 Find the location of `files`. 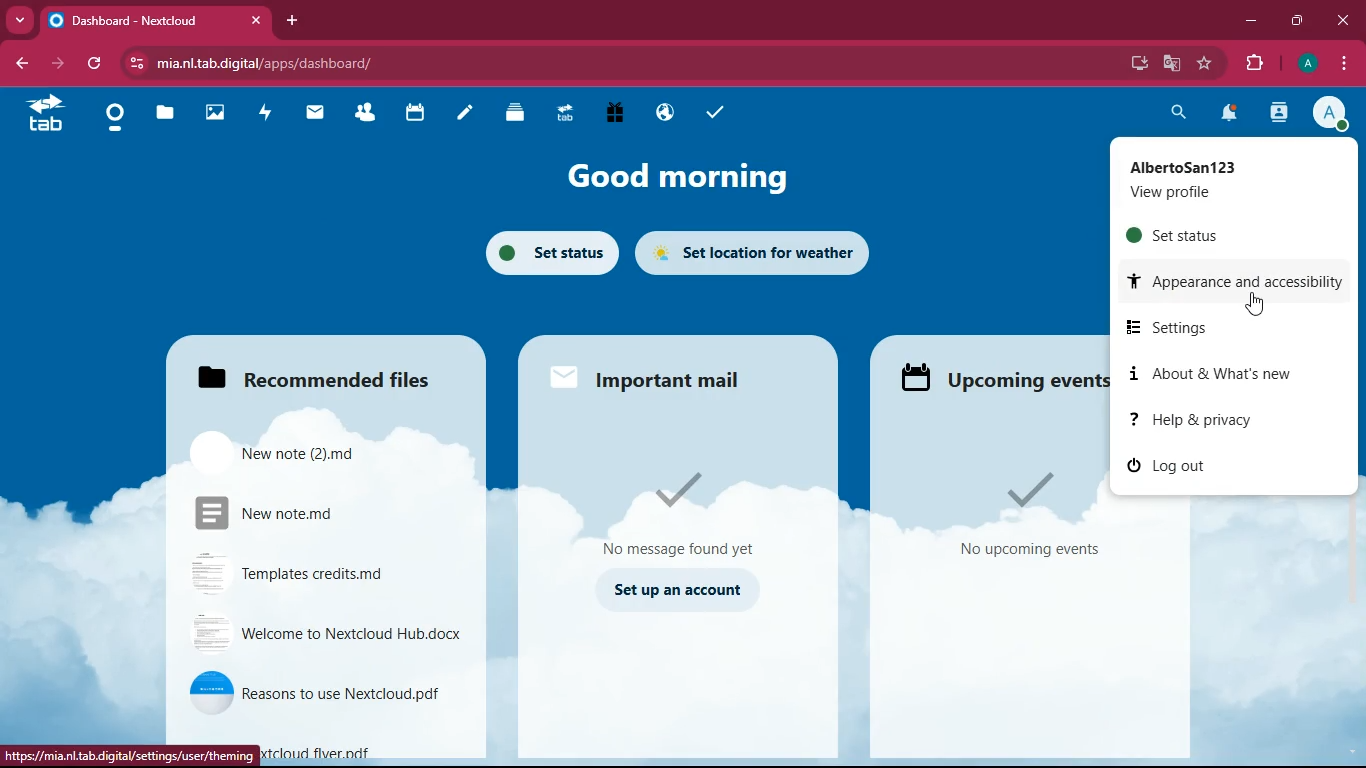

files is located at coordinates (171, 114).